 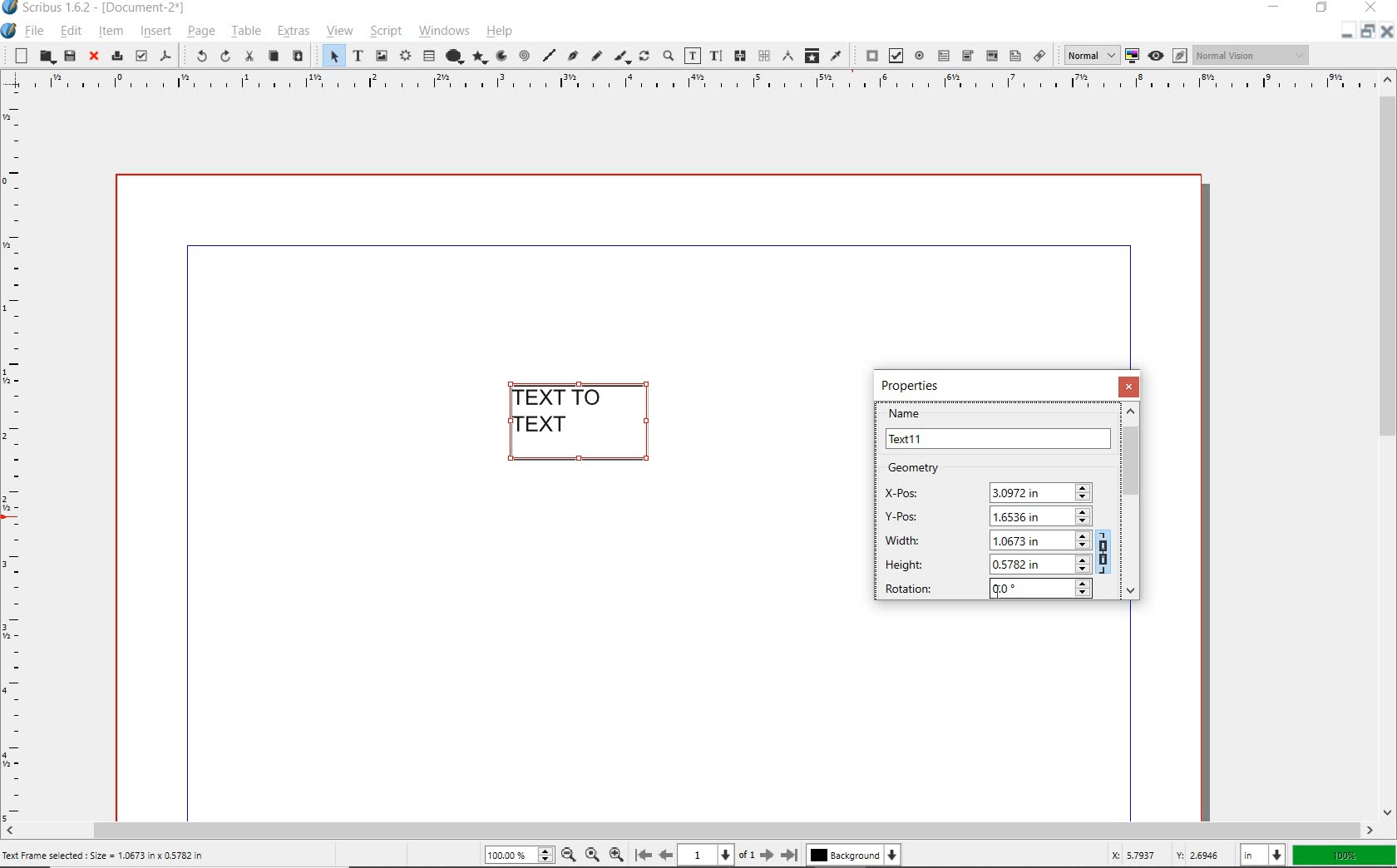 I want to click on rotate item, so click(x=643, y=57).